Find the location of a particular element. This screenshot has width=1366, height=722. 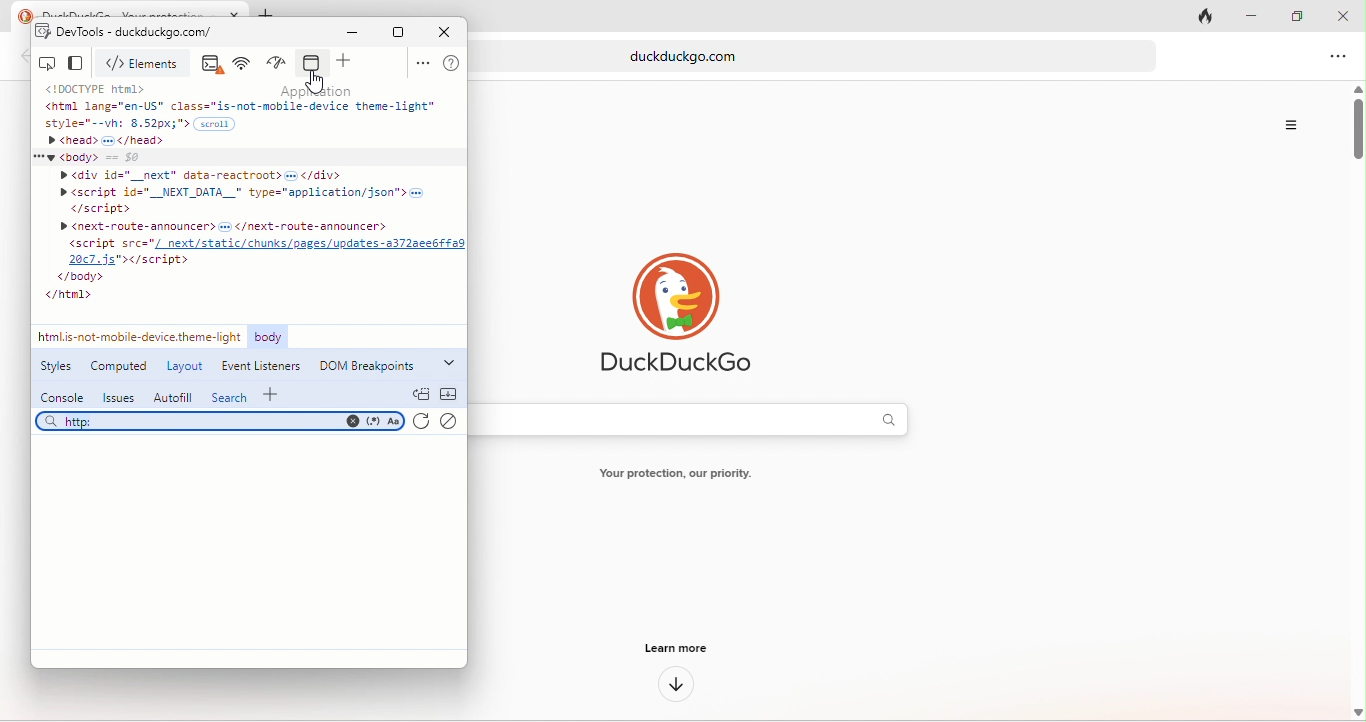

close is located at coordinates (1344, 17).